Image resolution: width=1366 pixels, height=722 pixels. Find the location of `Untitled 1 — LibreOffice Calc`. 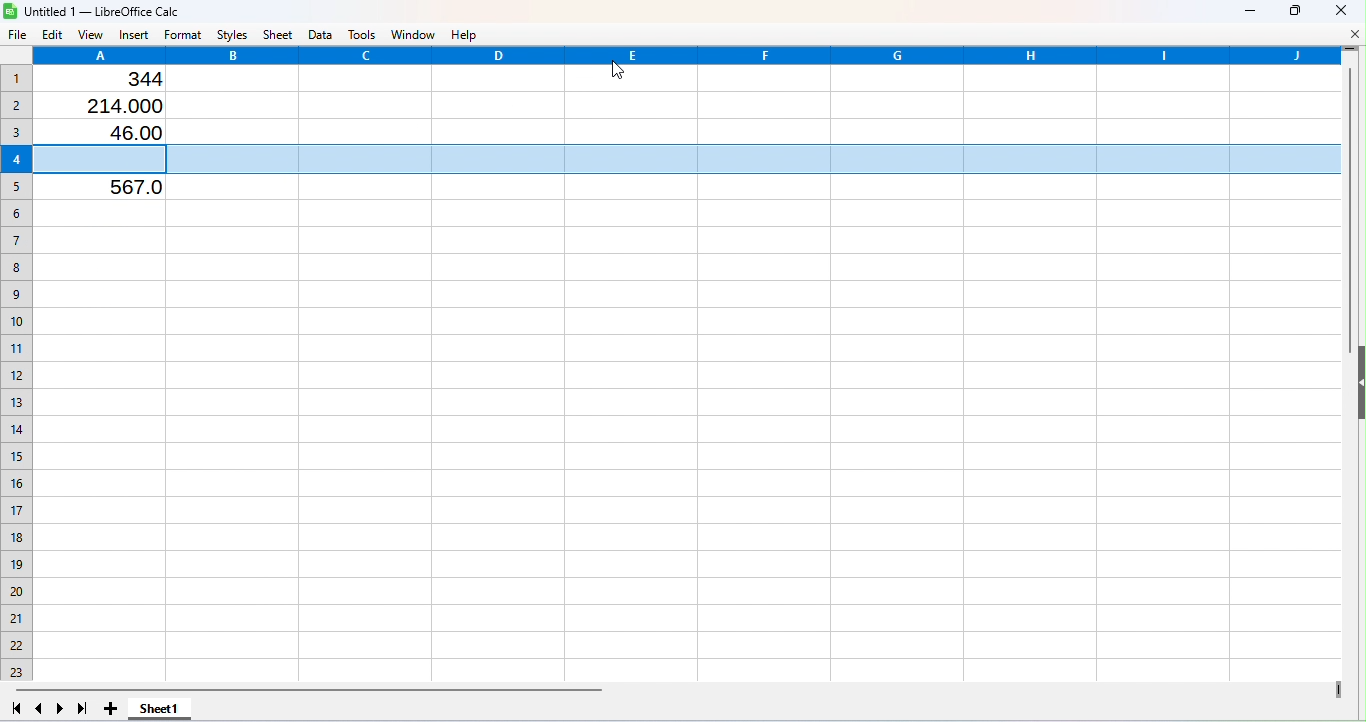

Untitled 1 — LibreOffice Calc is located at coordinates (101, 10).